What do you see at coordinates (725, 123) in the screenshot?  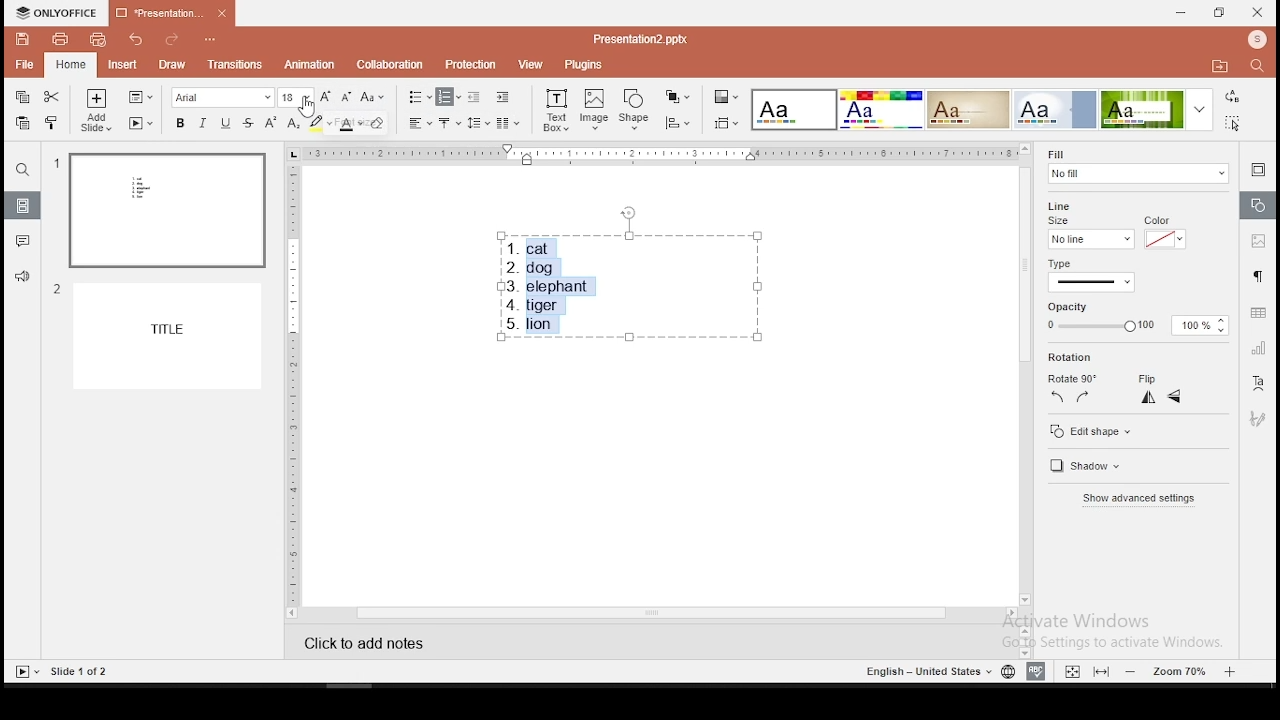 I see `align objects` at bounding box center [725, 123].